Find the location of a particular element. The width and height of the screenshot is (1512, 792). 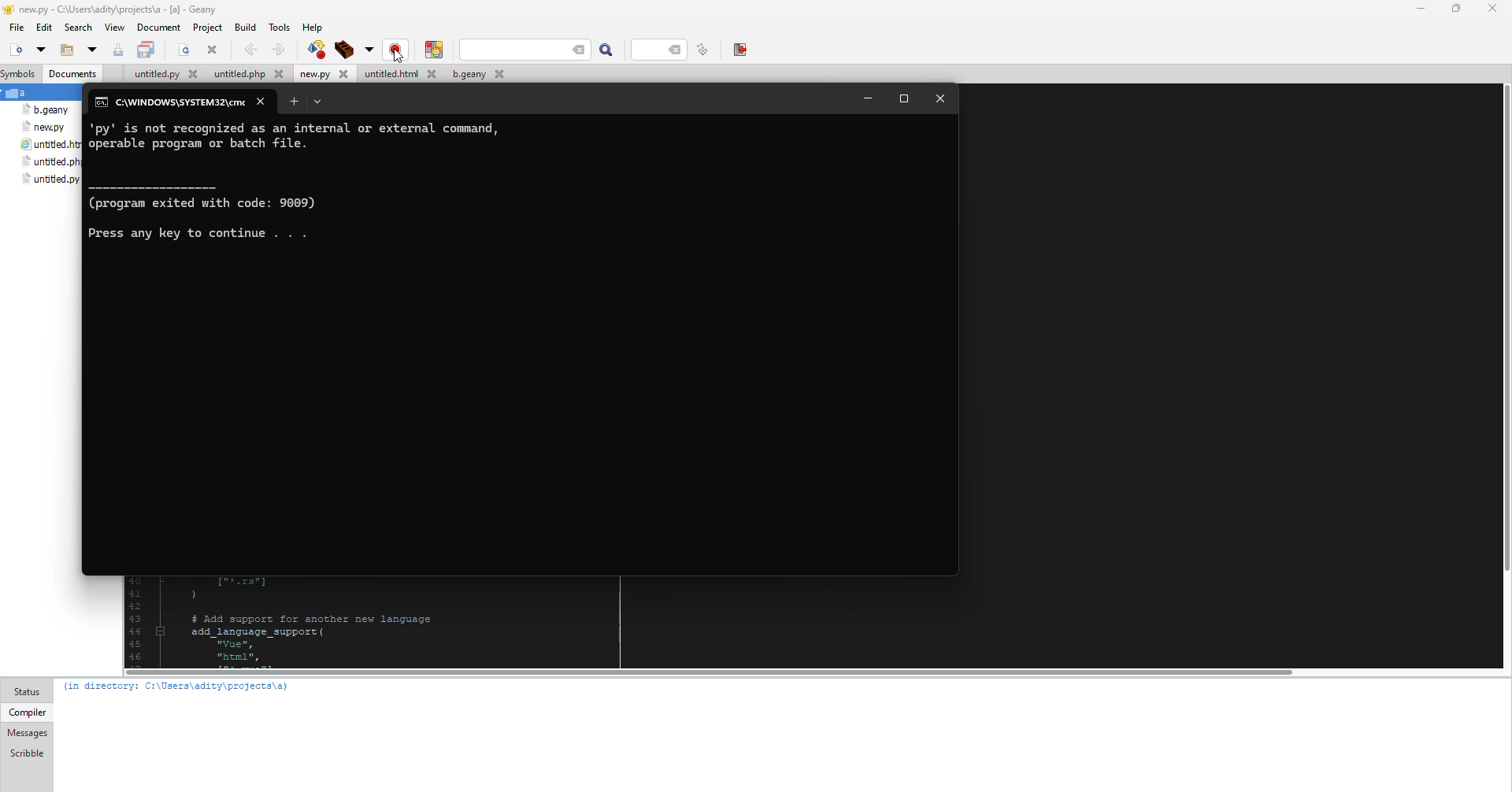

scroll bar is located at coordinates (1506, 333).